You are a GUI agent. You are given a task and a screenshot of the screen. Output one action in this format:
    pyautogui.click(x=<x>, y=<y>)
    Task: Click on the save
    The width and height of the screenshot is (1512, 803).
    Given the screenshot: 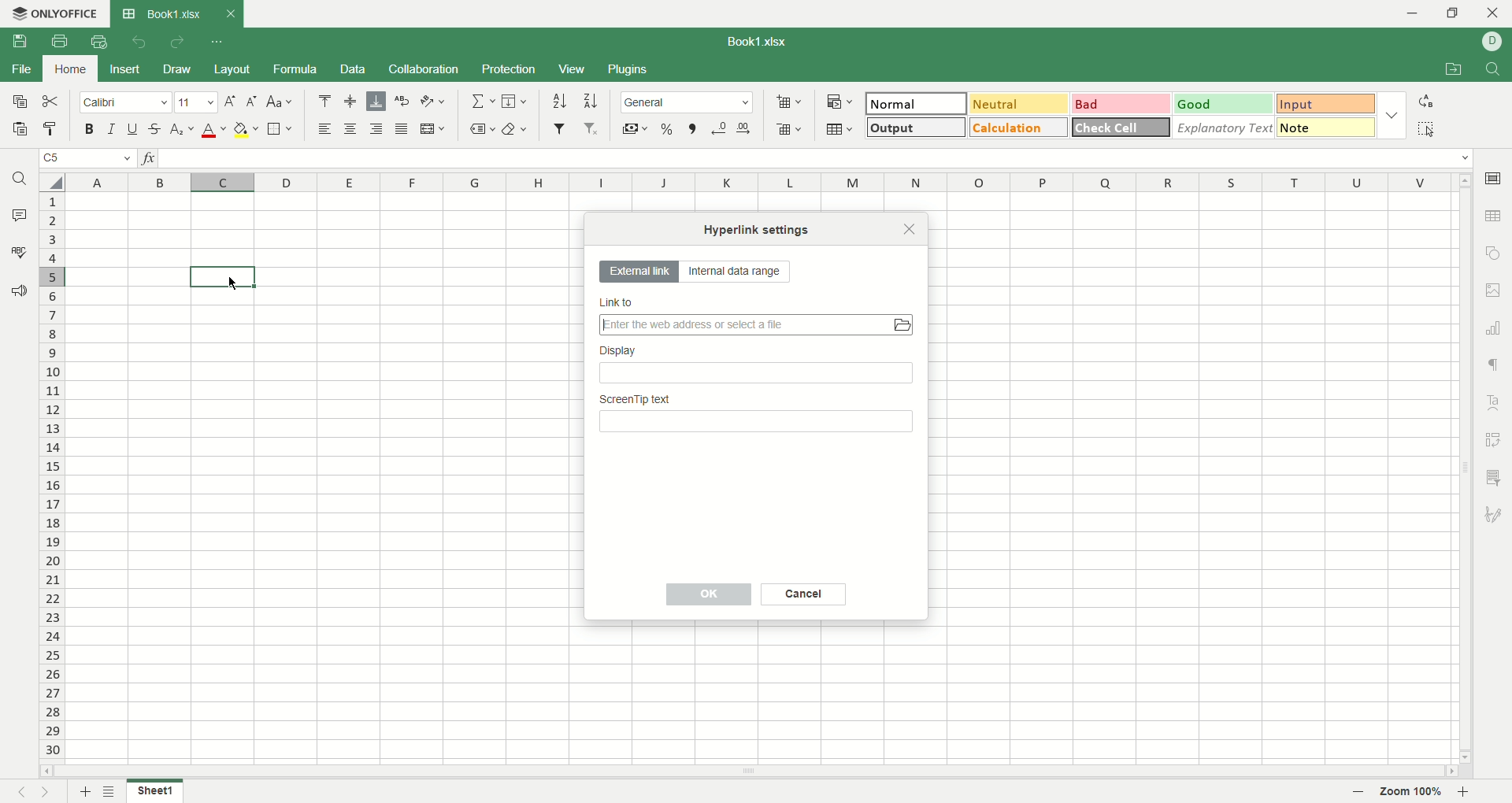 What is the action you would take?
    pyautogui.click(x=18, y=40)
    